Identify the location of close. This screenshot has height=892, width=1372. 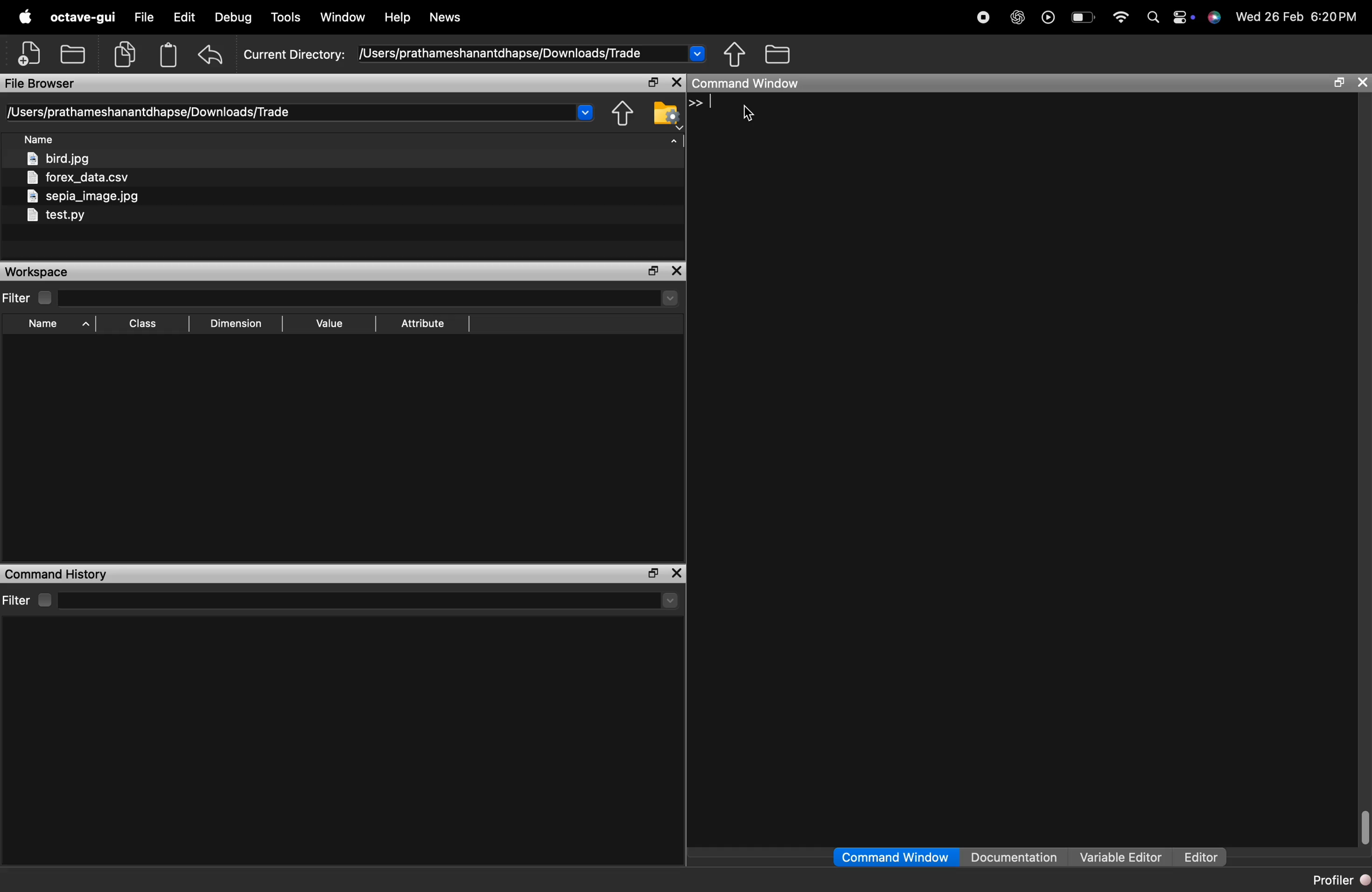
(677, 574).